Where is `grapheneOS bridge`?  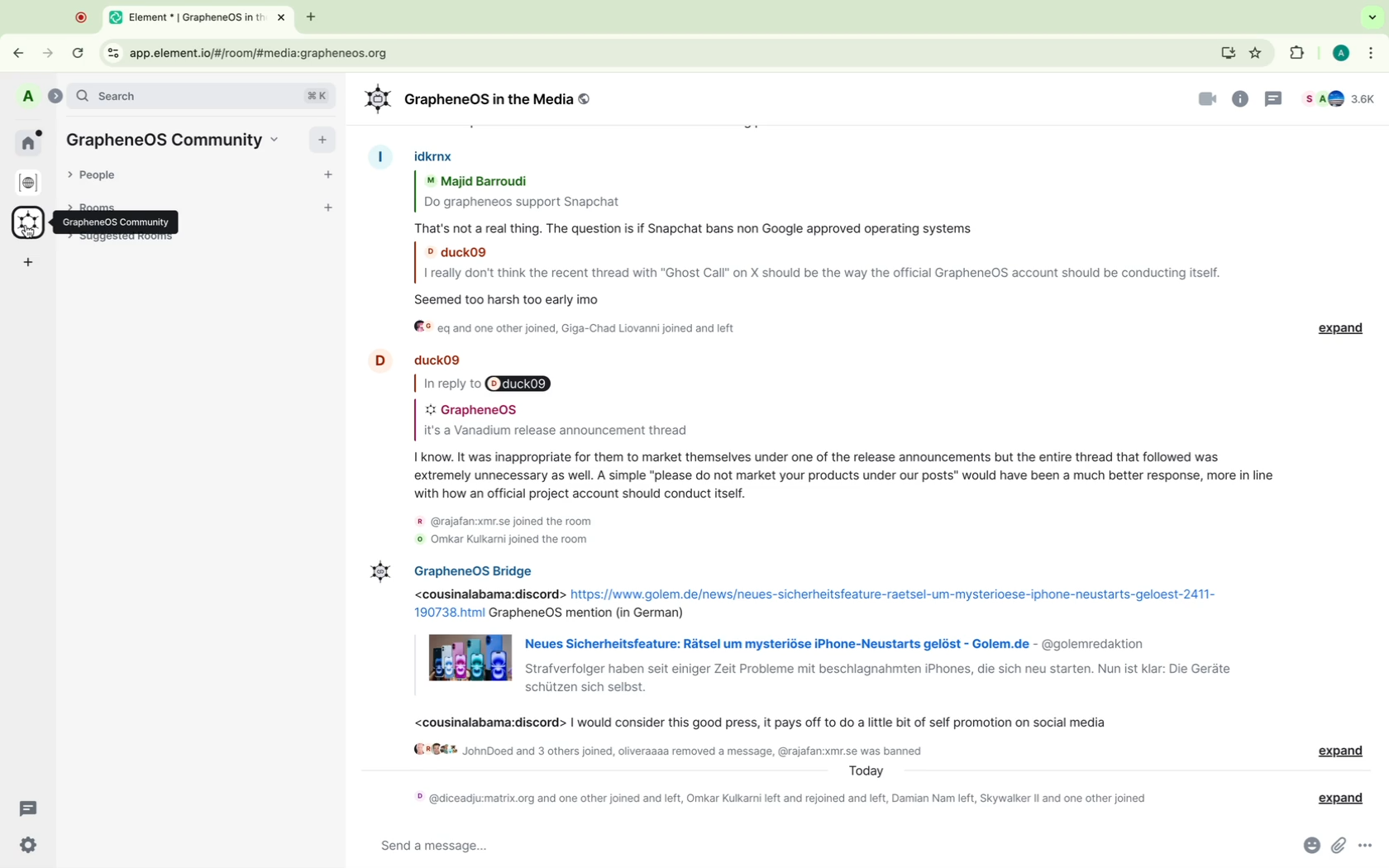 grapheneOS bridge is located at coordinates (473, 568).